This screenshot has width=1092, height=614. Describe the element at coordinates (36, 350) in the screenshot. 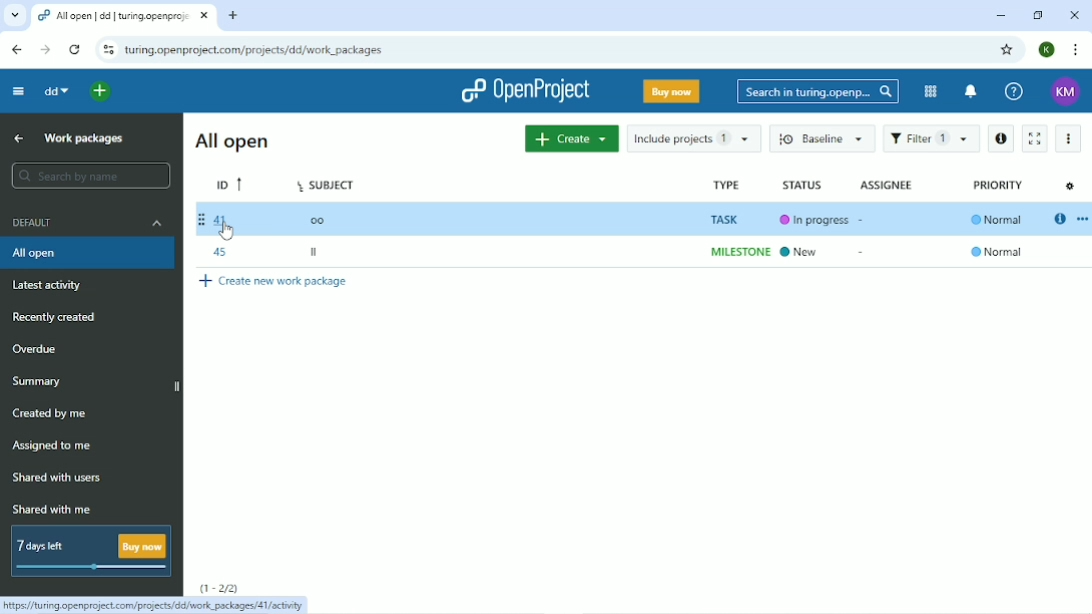

I see `Overdue` at that location.